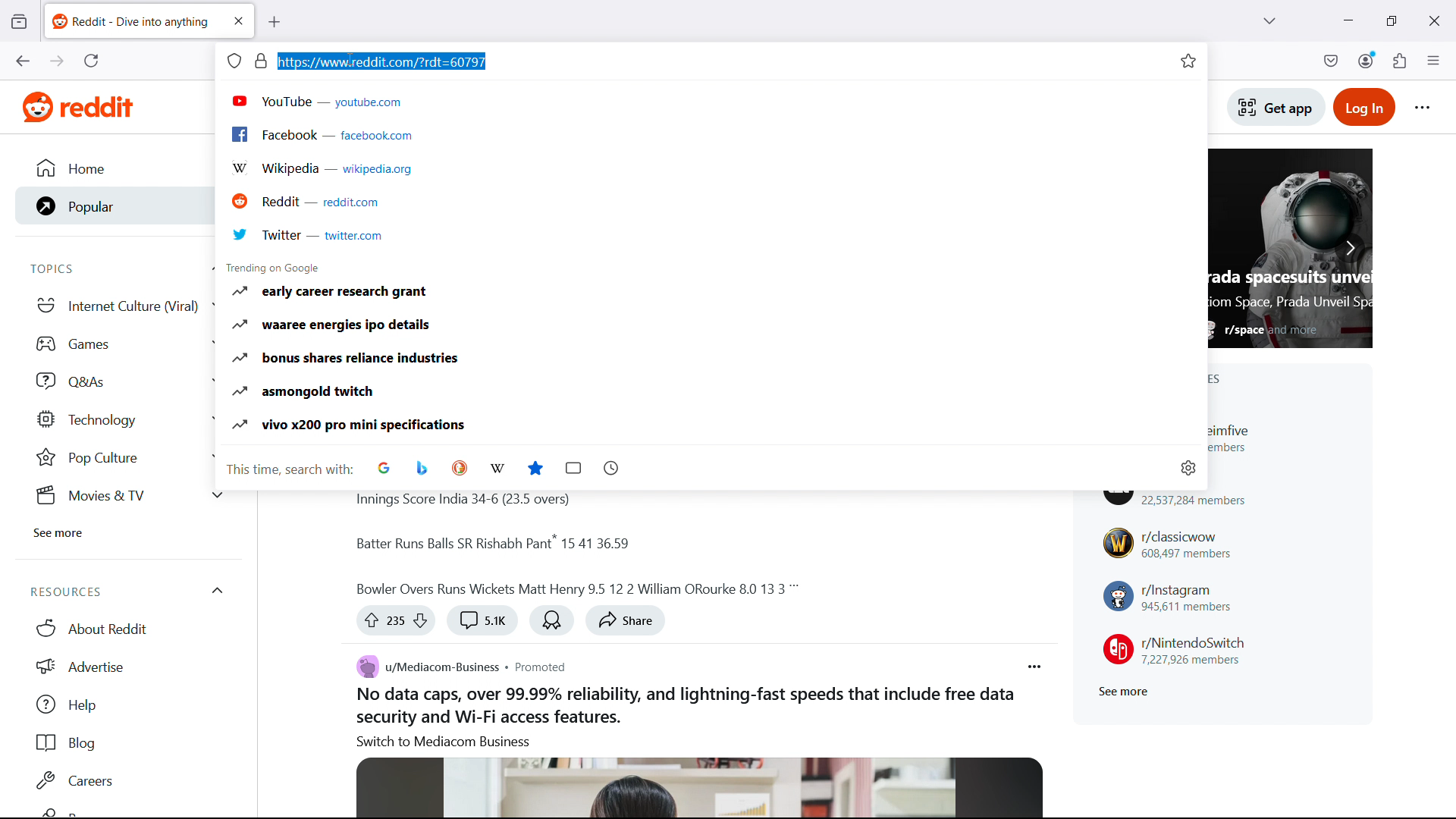  What do you see at coordinates (20, 21) in the screenshot?
I see `view recent browsing` at bounding box center [20, 21].